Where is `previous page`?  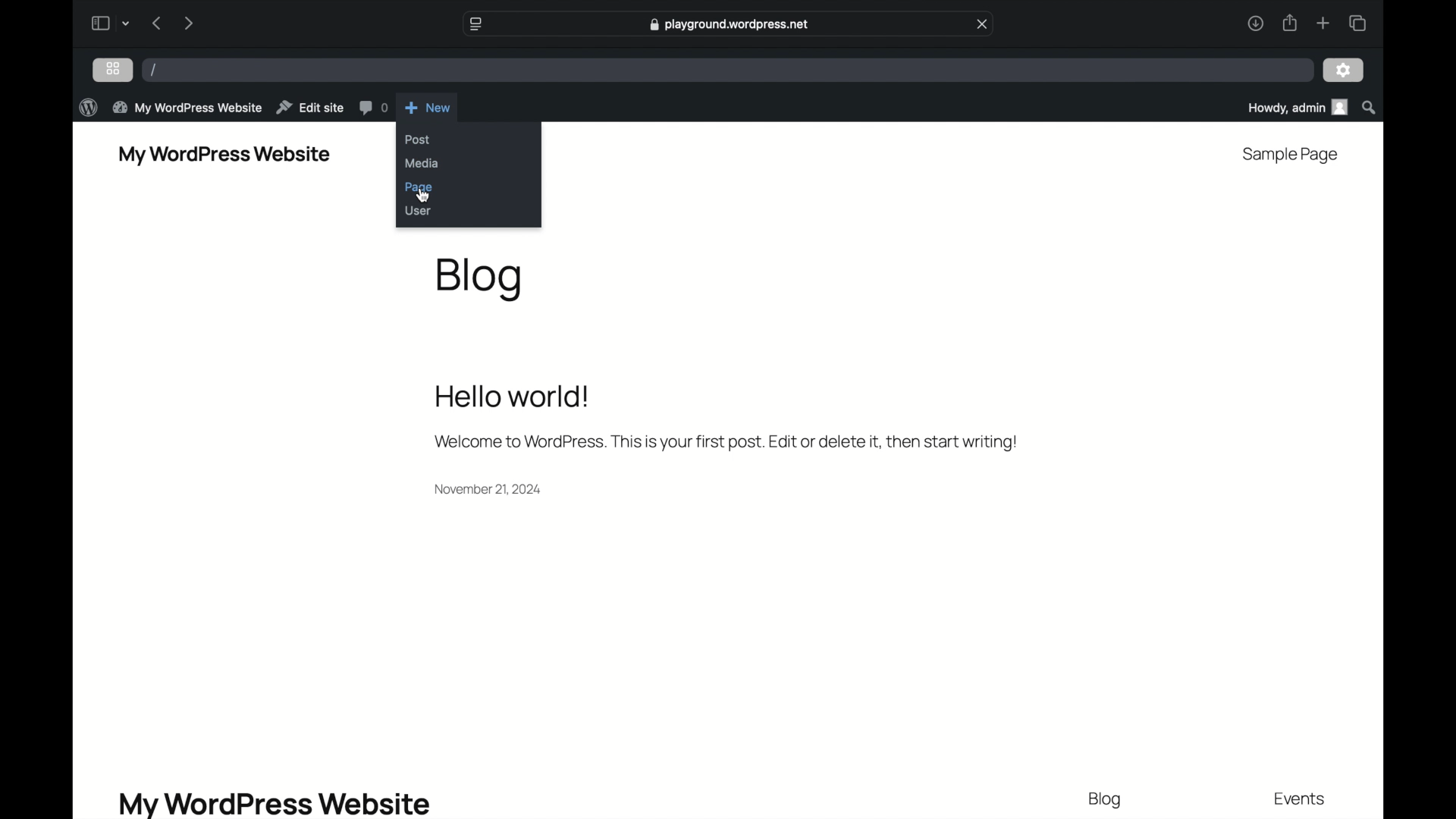
previous page is located at coordinates (158, 23).